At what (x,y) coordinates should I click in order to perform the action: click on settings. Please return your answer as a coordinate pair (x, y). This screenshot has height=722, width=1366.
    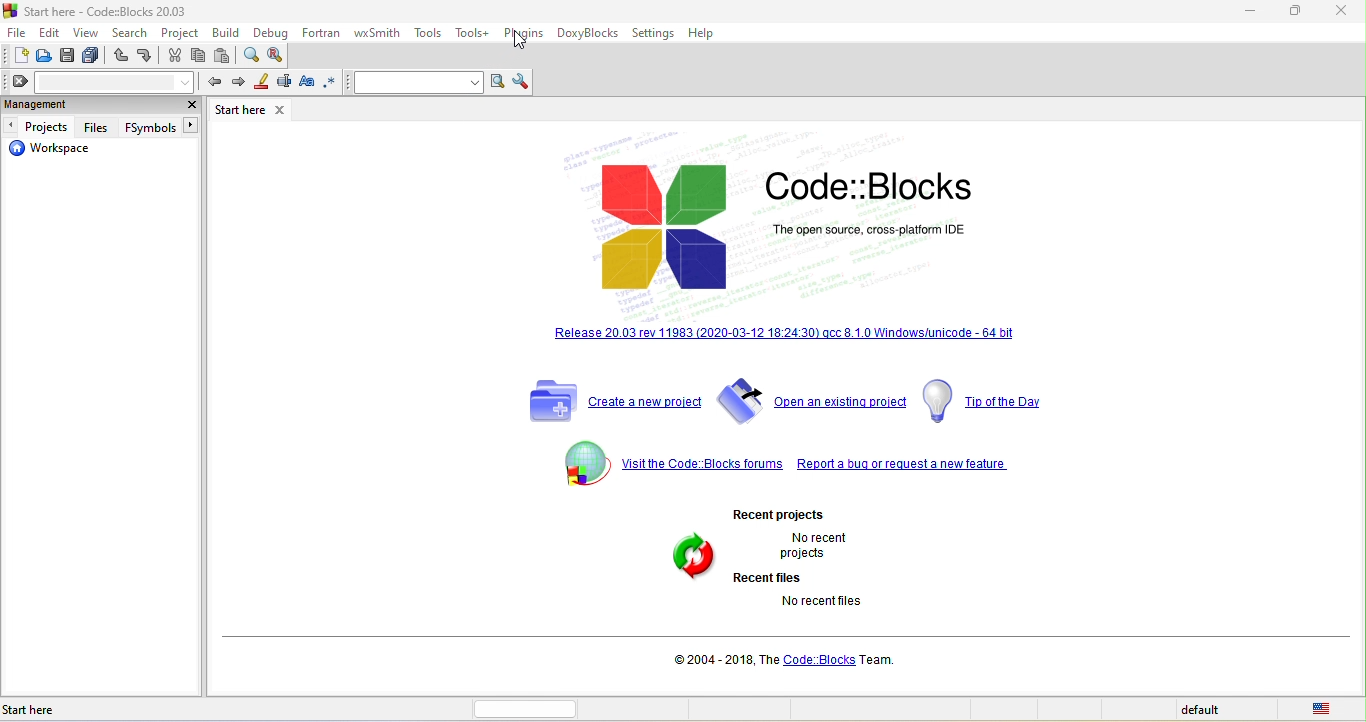
    Looking at the image, I should click on (654, 34).